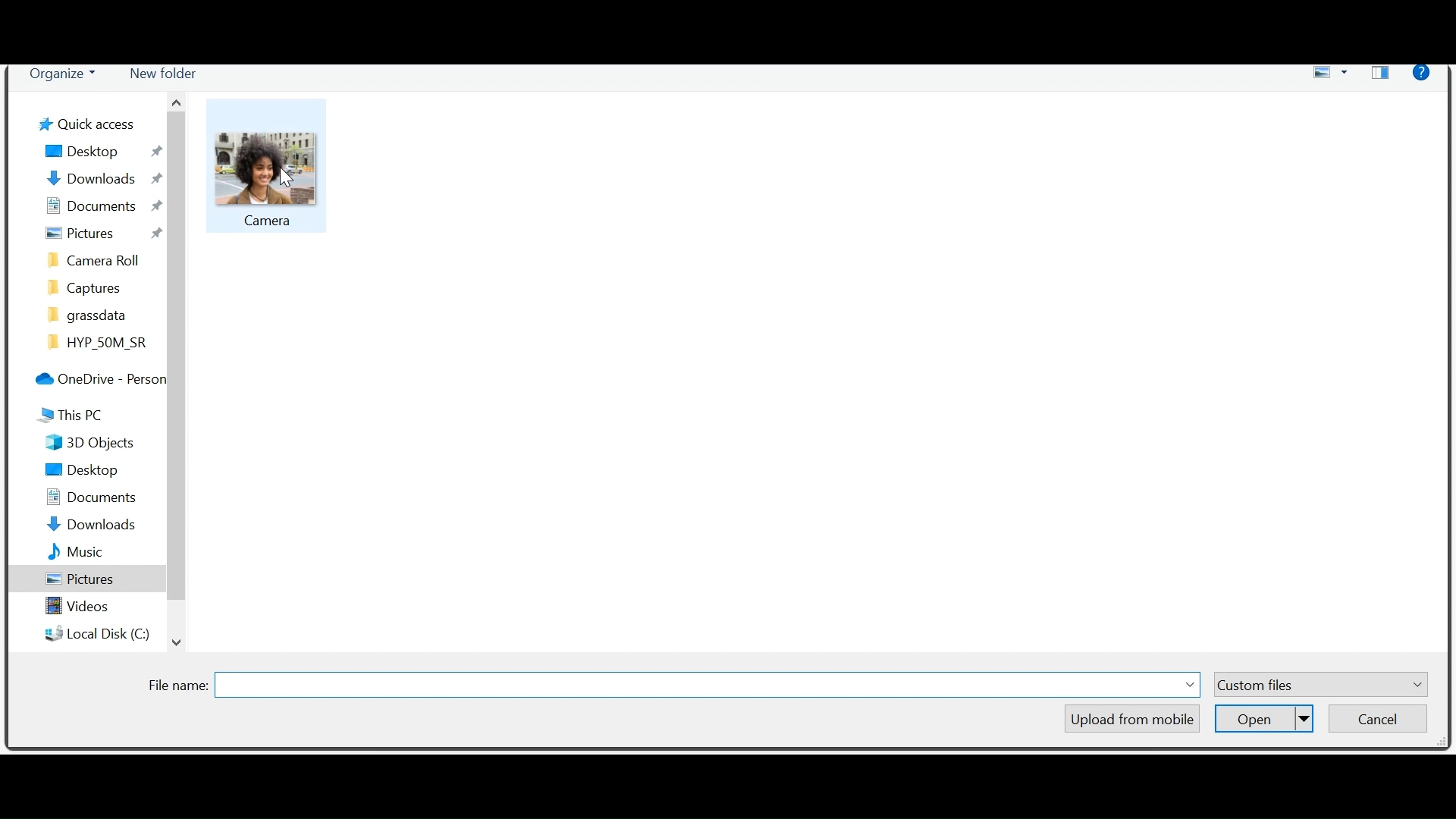 Image resolution: width=1456 pixels, height=819 pixels. What do you see at coordinates (101, 153) in the screenshot?
I see `Desktop` at bounding box center [101, 153].